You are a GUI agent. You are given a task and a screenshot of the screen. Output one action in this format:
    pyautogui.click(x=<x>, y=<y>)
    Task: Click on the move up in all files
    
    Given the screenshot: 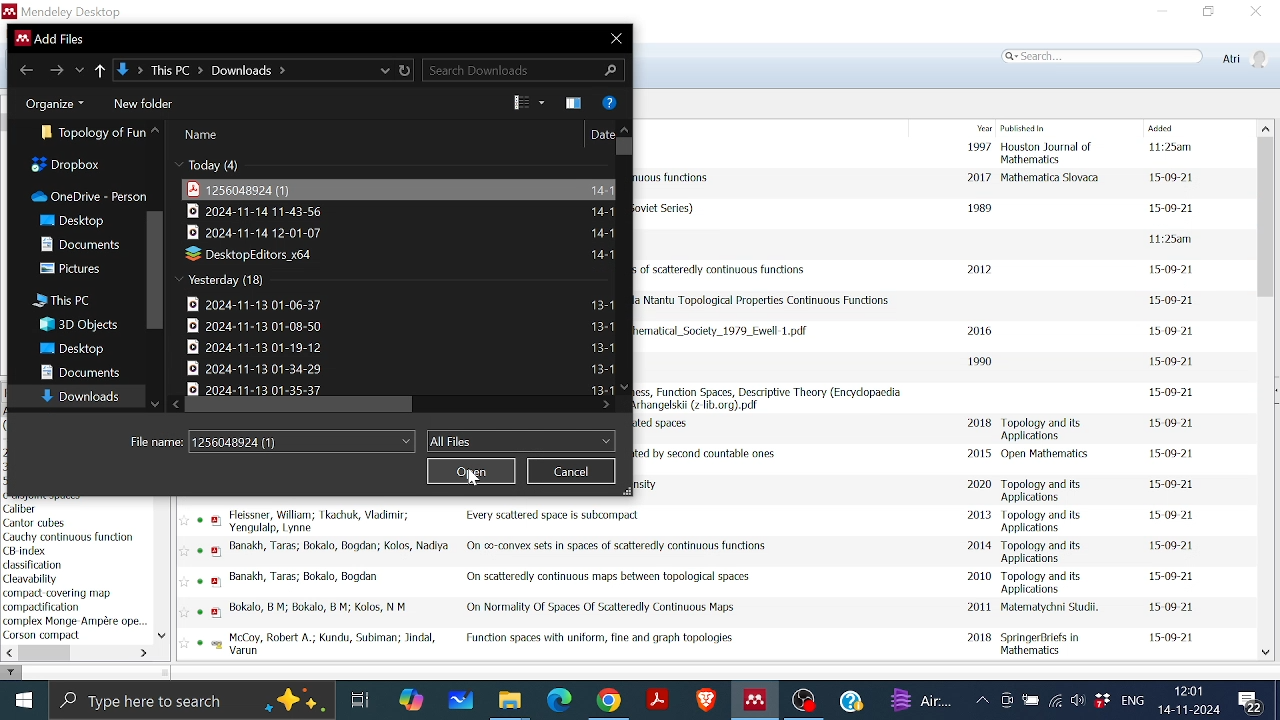 What is the action you would take?
    pyautogui.click(x=626, y=127)
    